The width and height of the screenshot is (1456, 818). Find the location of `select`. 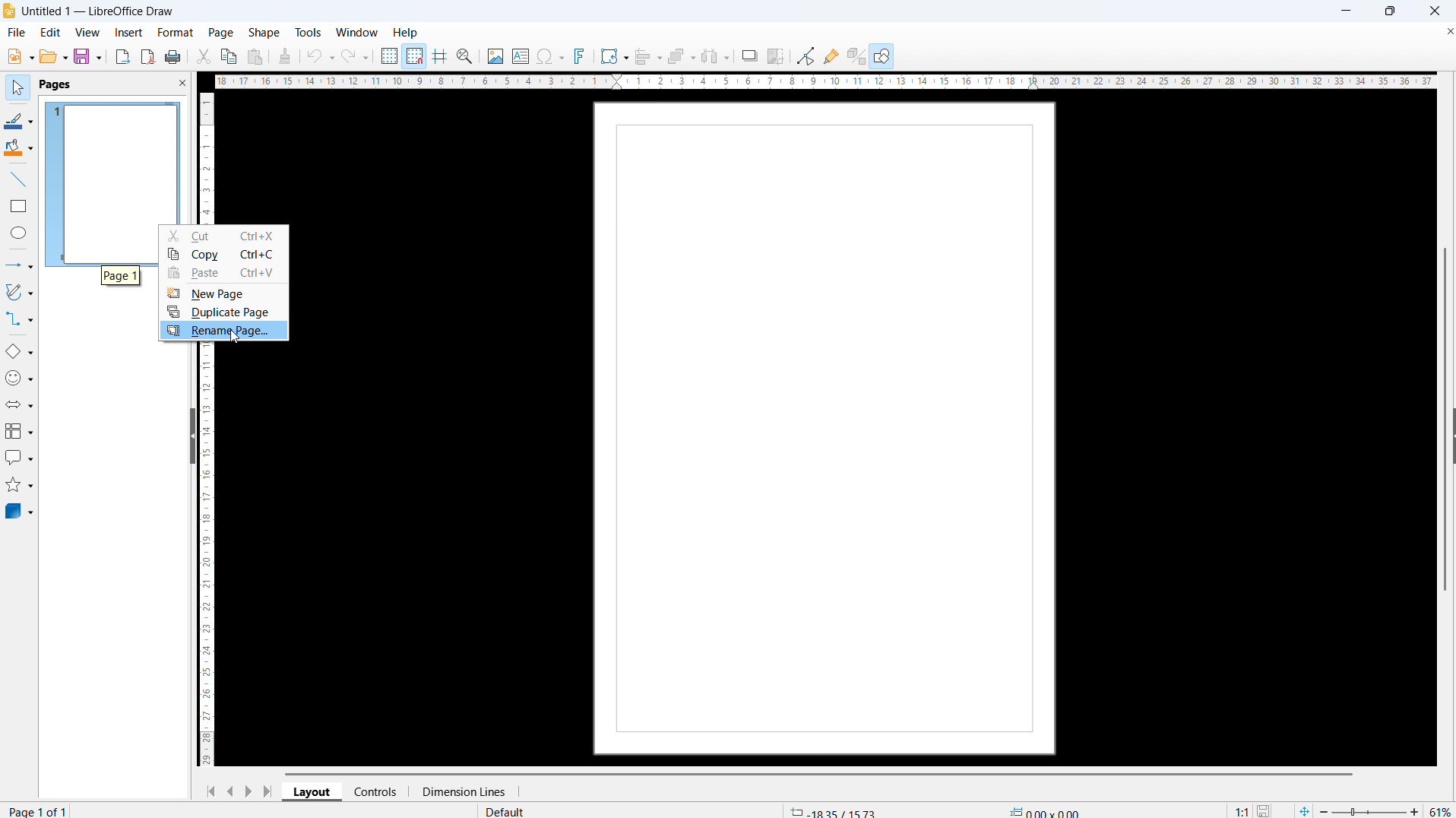

select is located at coordinates (17, 88).